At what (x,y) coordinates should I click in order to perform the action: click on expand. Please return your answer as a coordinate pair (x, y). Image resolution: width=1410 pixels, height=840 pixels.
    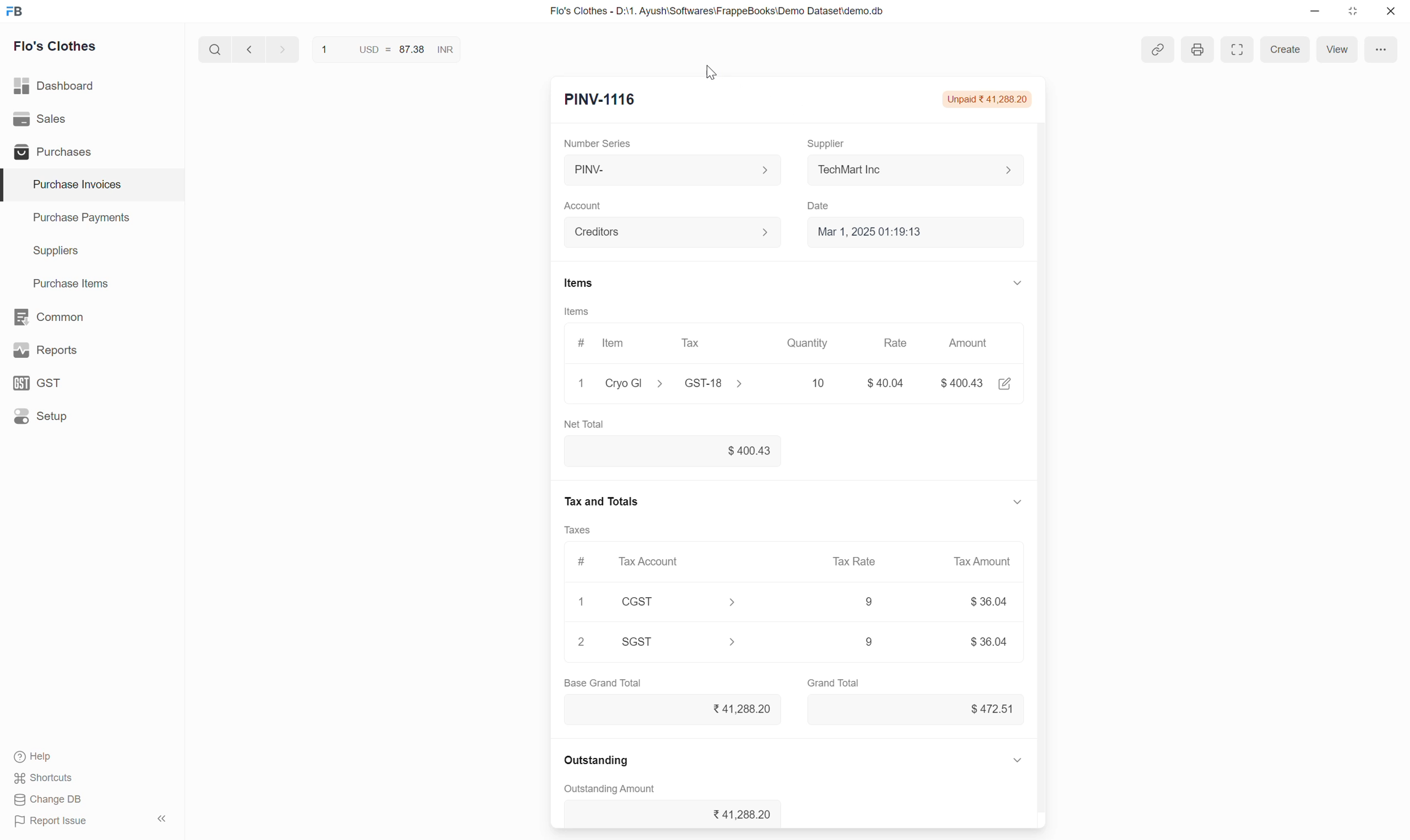
    Looking at the image, I should click on (1020, 761).